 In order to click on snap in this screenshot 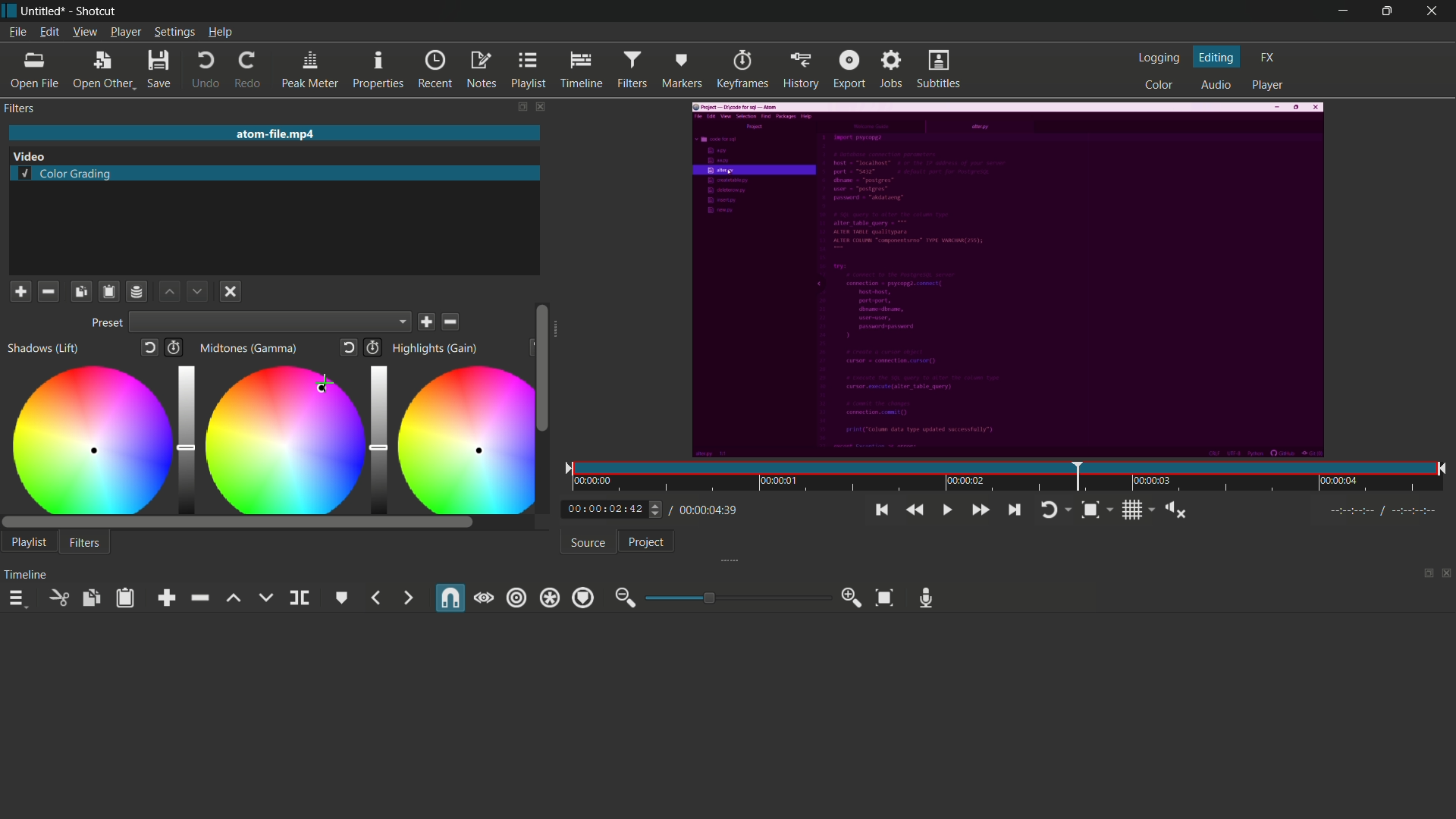, I will do `click(448, 599)`.